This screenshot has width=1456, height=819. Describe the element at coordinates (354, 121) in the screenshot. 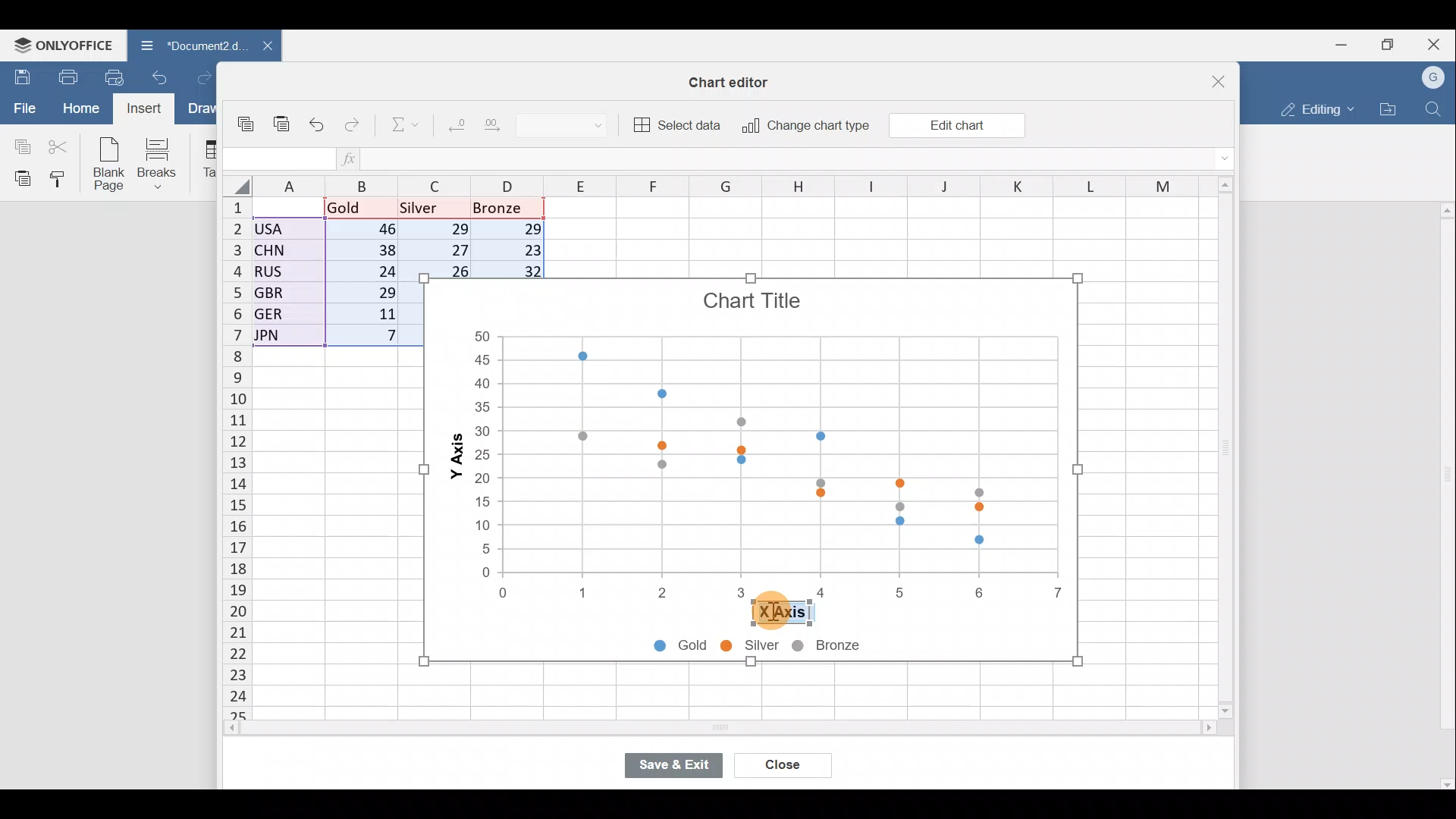

I see `Redo` at that location.